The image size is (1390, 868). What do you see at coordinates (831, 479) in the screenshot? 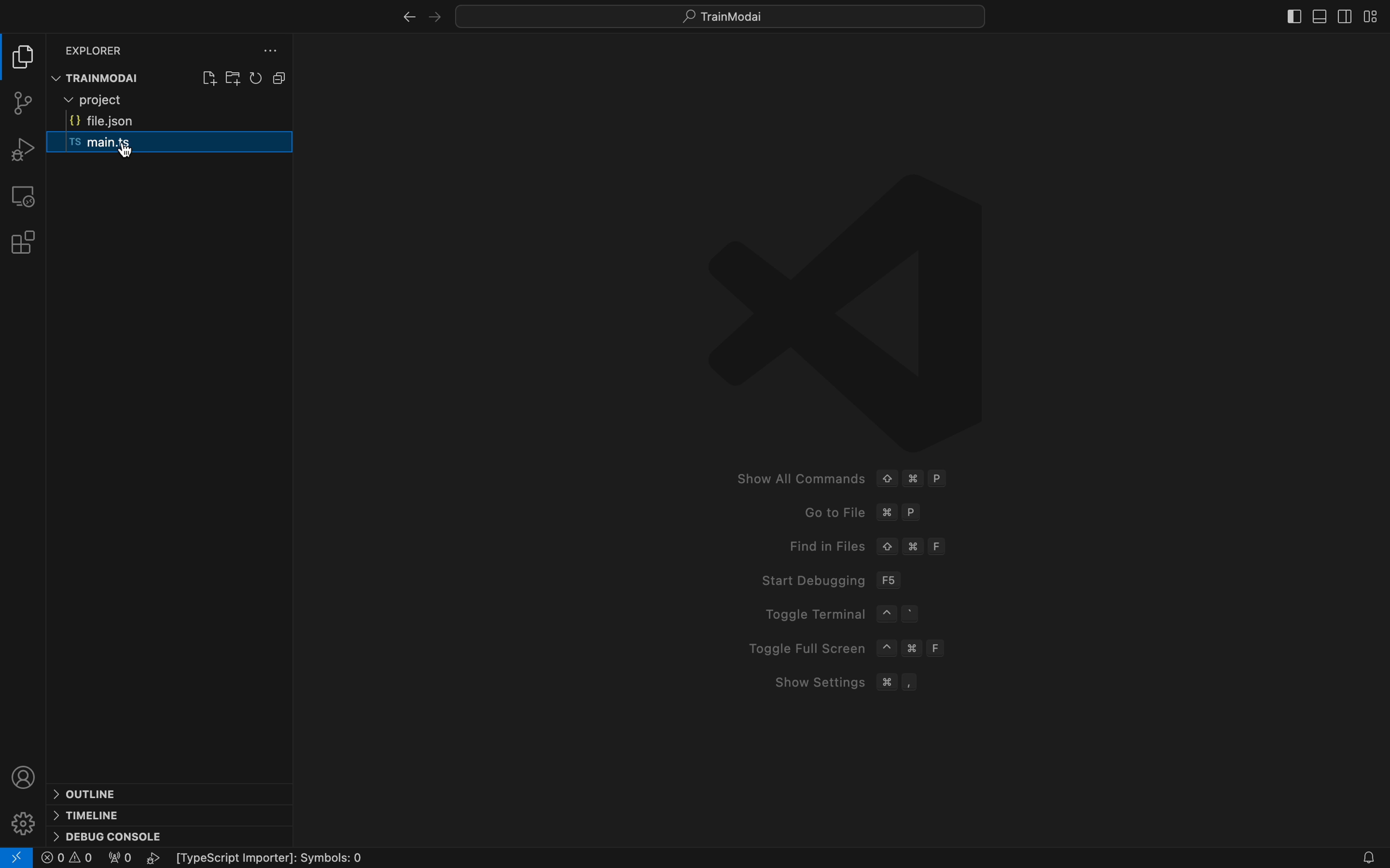
I see `Show All Commands ¢ ¥ P` at bounding box center [831, 479].